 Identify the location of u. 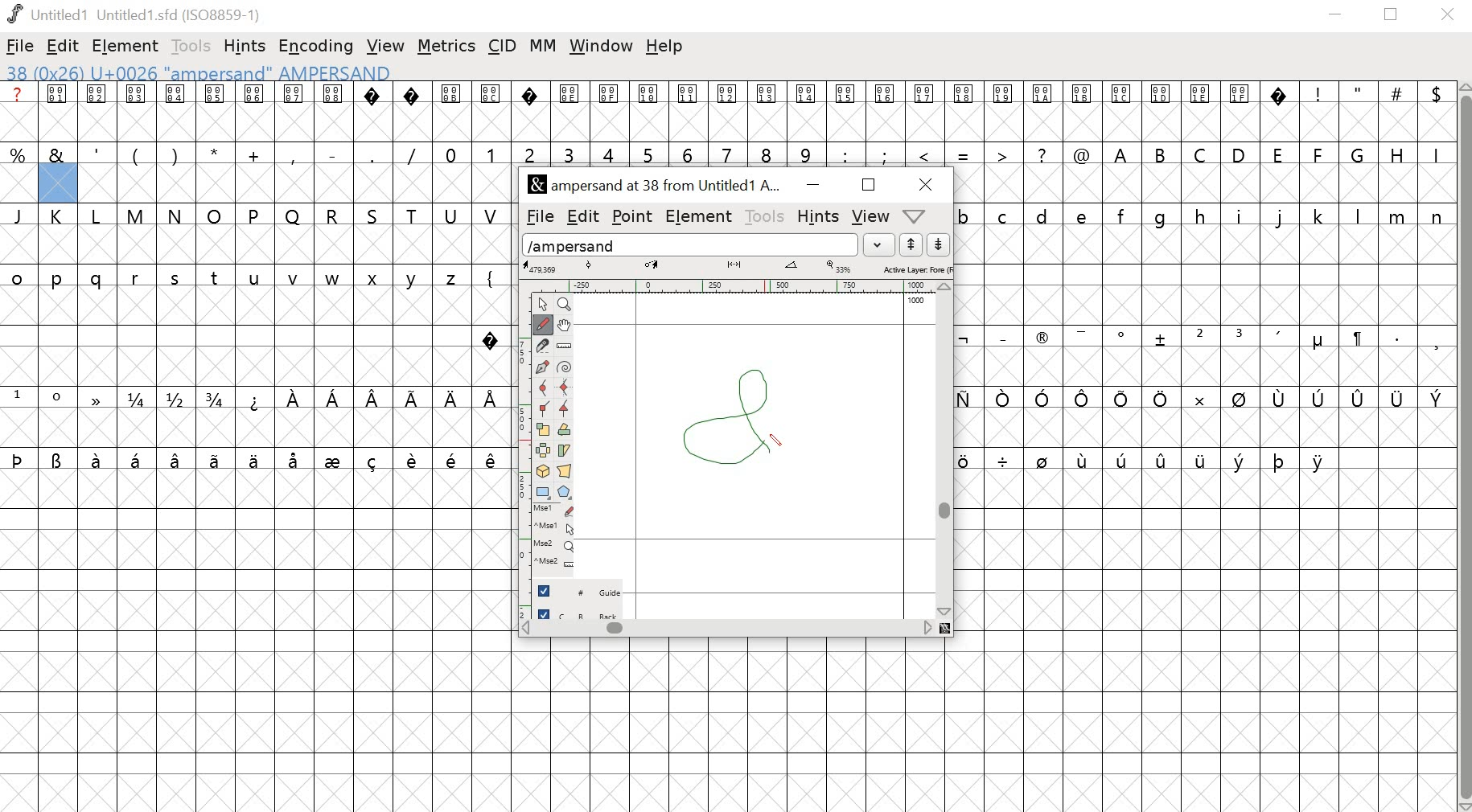
(256, 279).